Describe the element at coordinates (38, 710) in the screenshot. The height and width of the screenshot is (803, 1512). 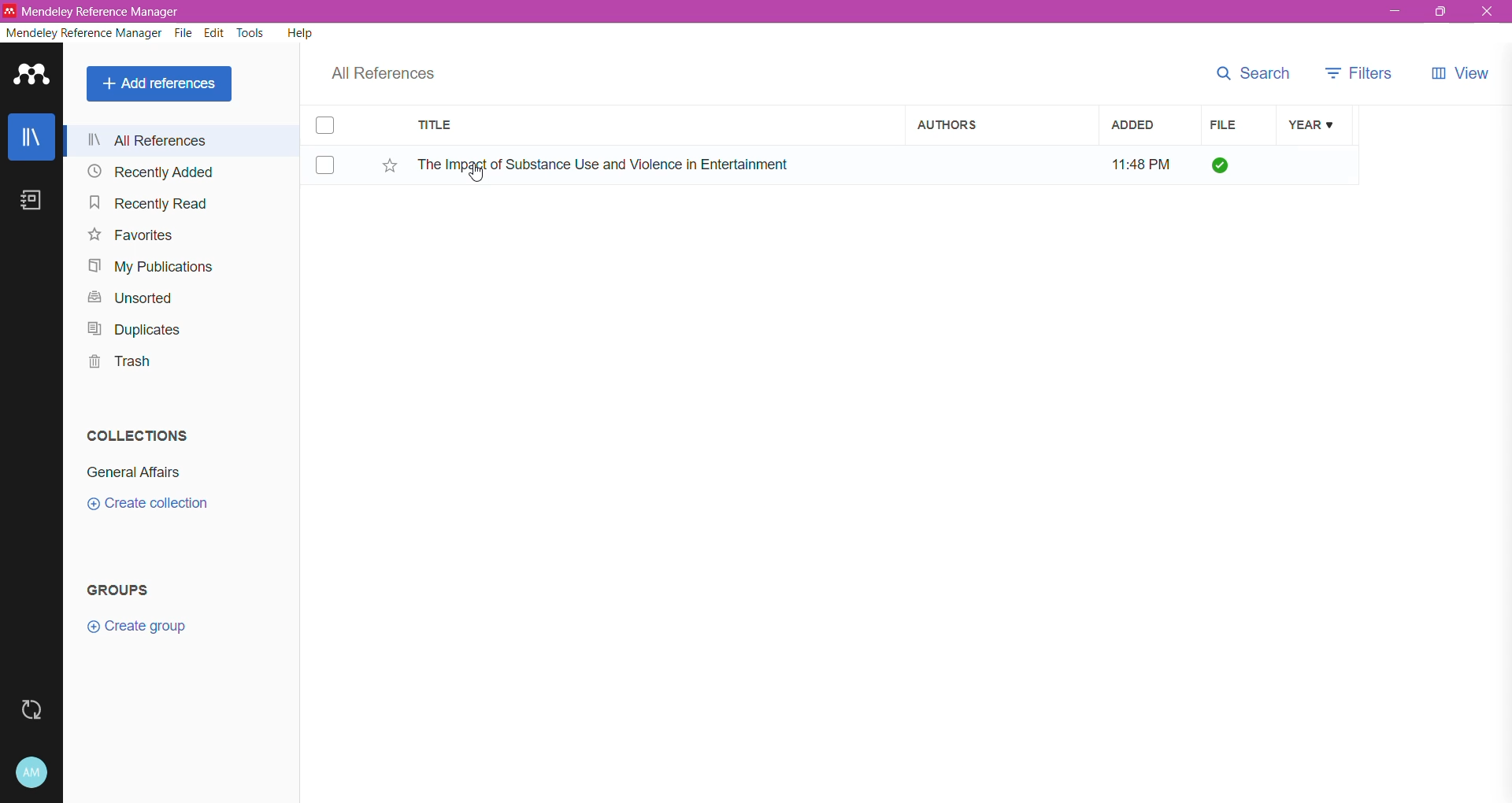
I see `Last Sync` at that location.